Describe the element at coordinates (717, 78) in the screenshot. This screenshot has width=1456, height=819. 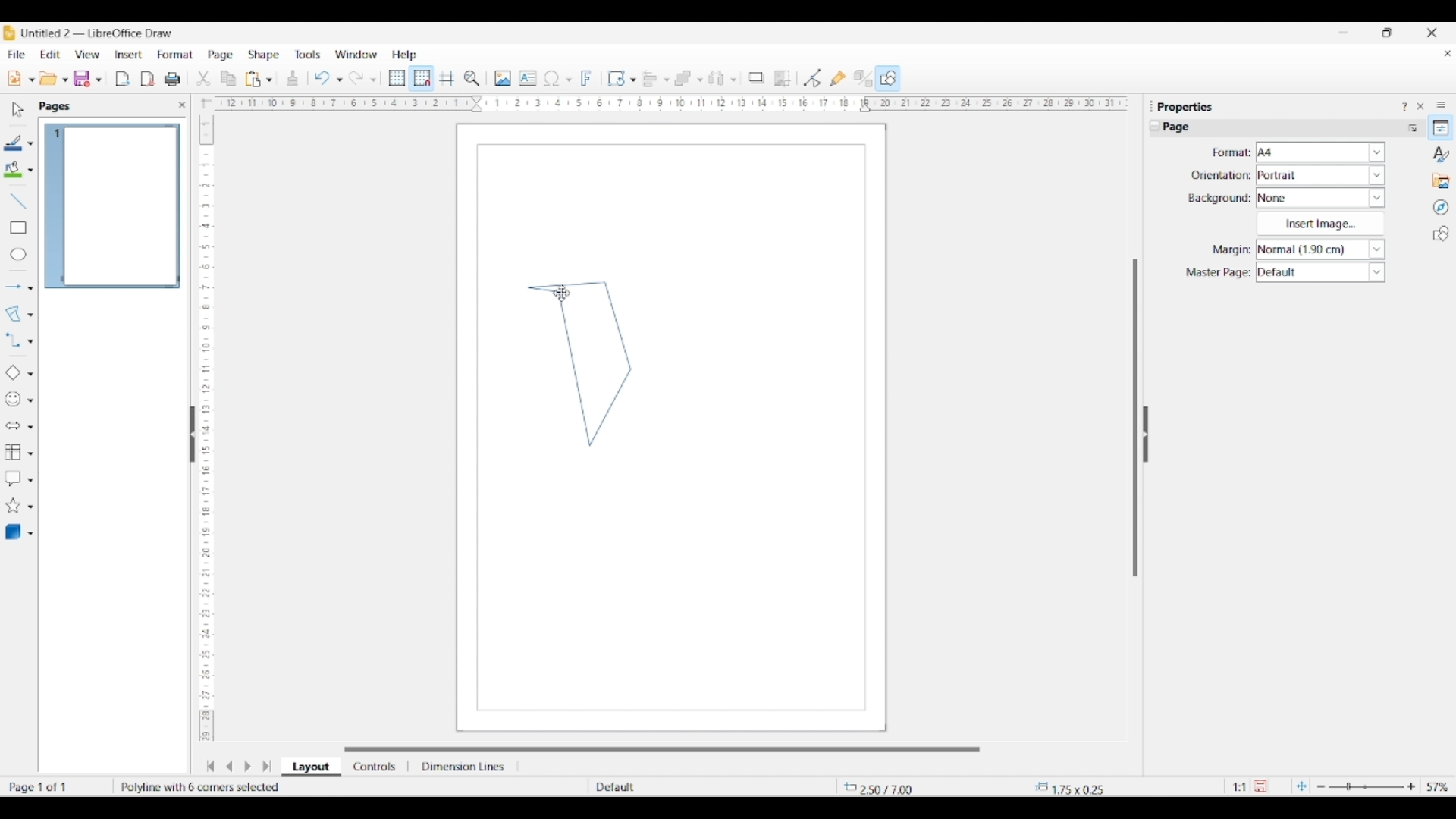
I see `Chosen select object to distribute` at that location.